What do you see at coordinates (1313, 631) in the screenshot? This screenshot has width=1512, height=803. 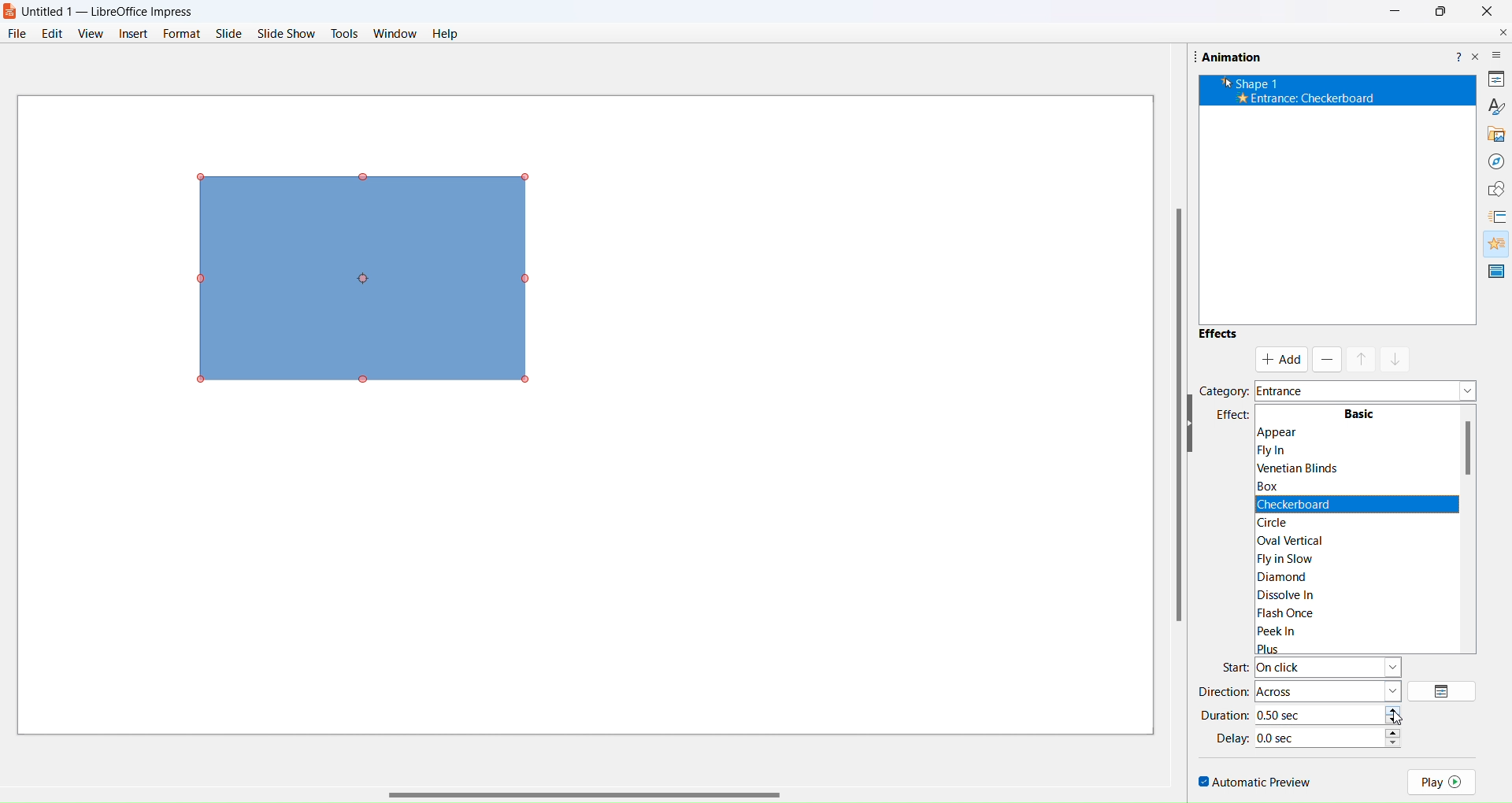 I see `Peek In` at bounding box center [1313, 631].